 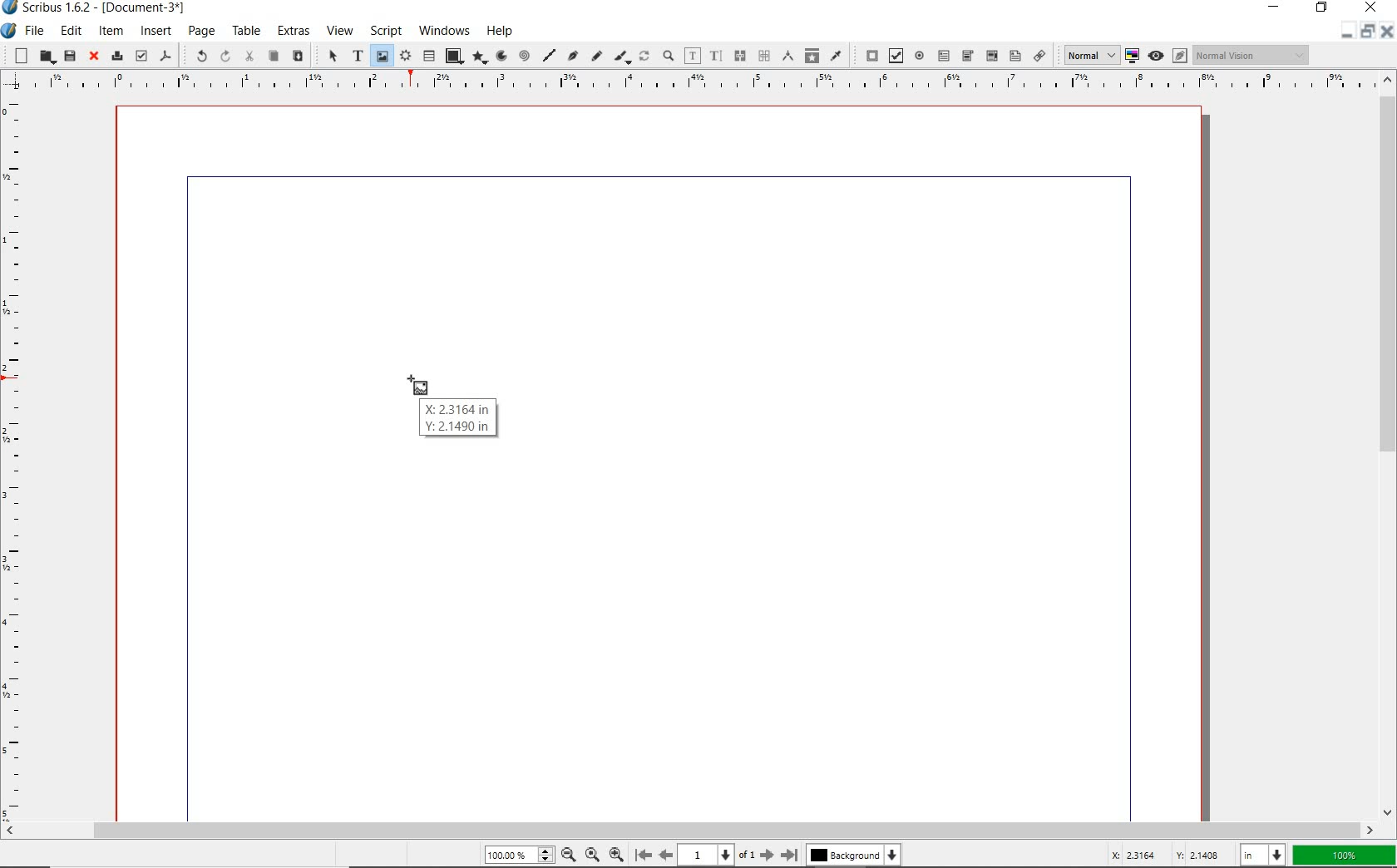 I want to click on FILE, so click(x=37, y=32).